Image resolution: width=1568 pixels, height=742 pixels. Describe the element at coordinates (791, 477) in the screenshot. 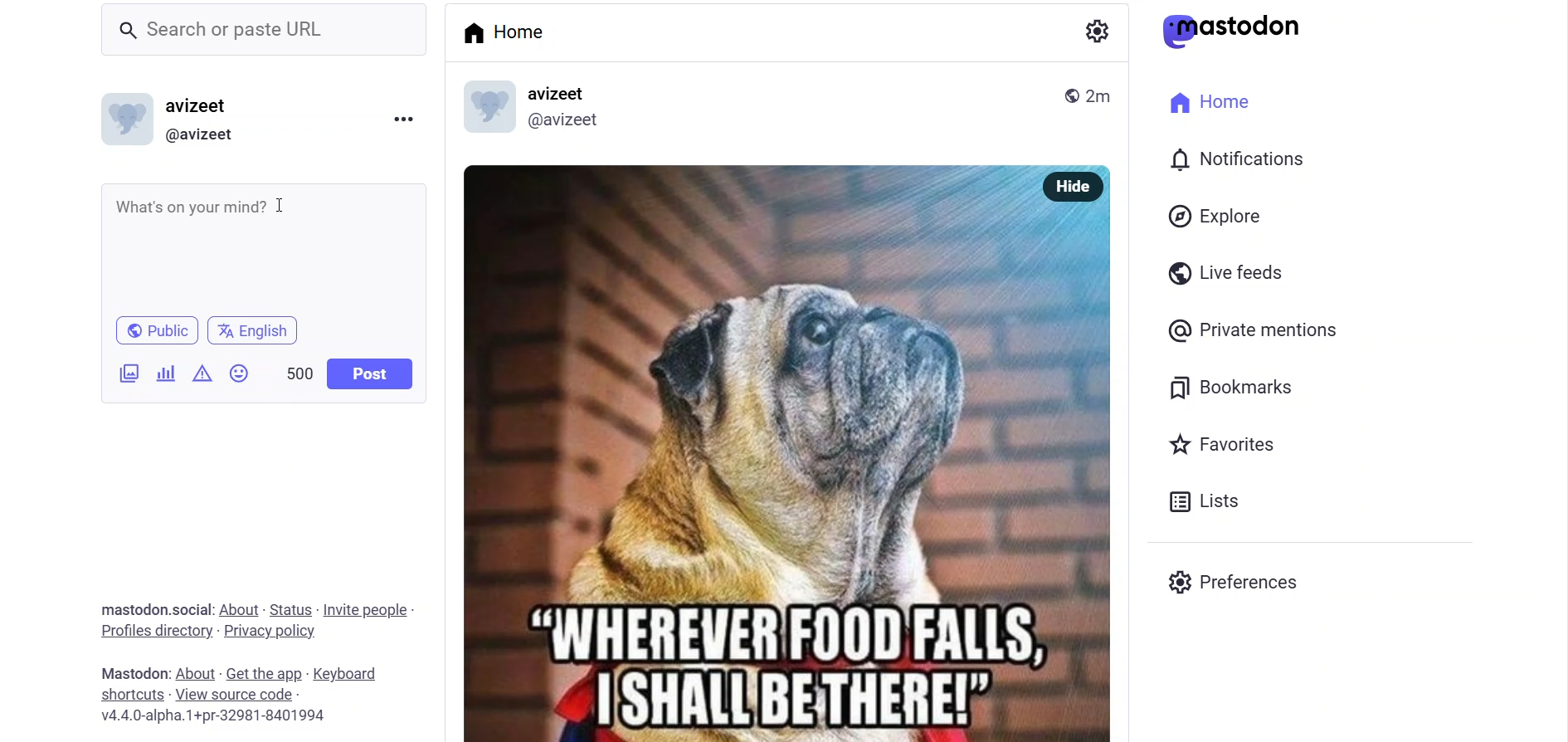

I see `meme photo` at that location.